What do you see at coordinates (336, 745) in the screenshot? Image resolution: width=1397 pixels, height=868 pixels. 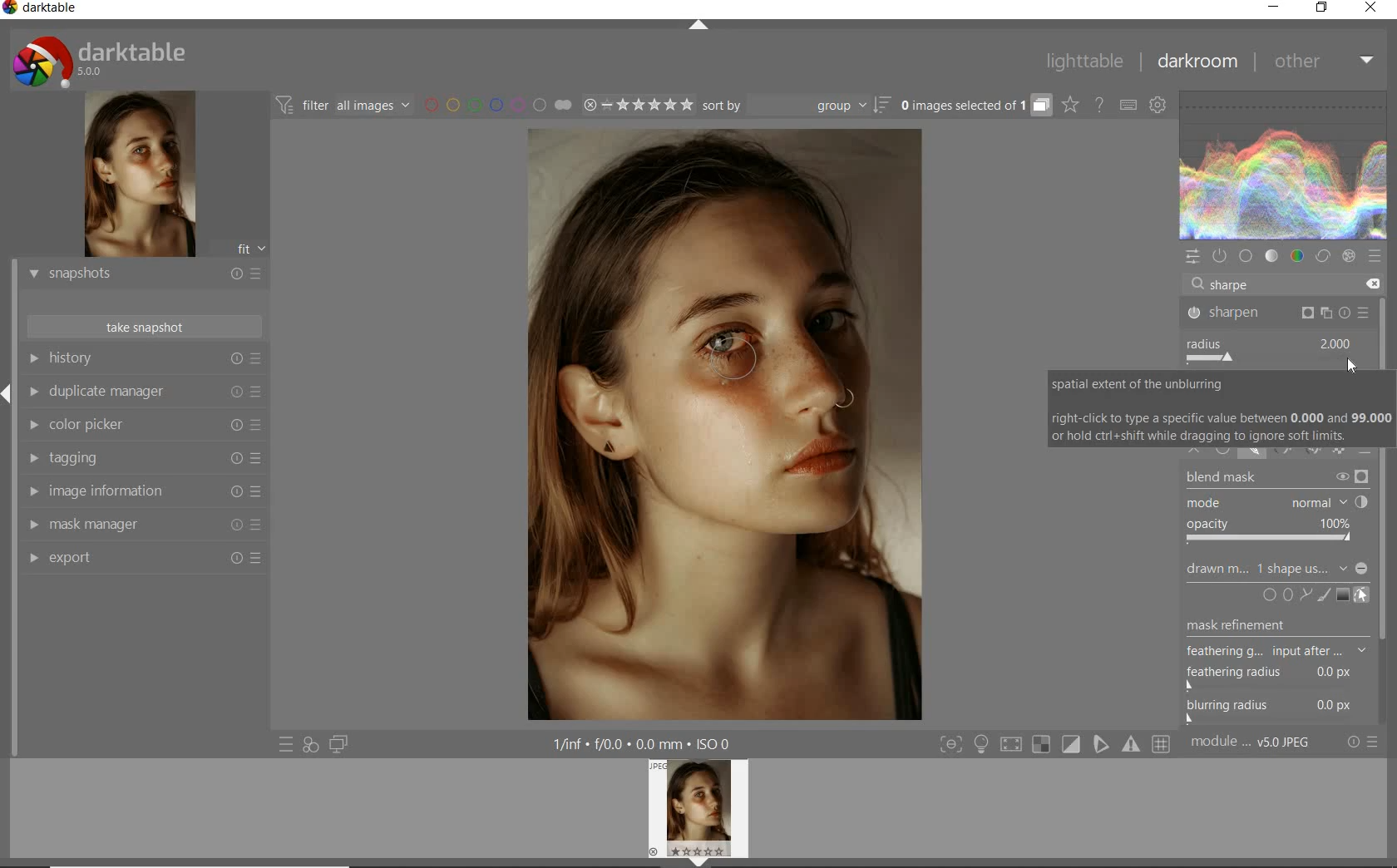 I see `display a second darkroom image below` at bounding box center [336, 745].